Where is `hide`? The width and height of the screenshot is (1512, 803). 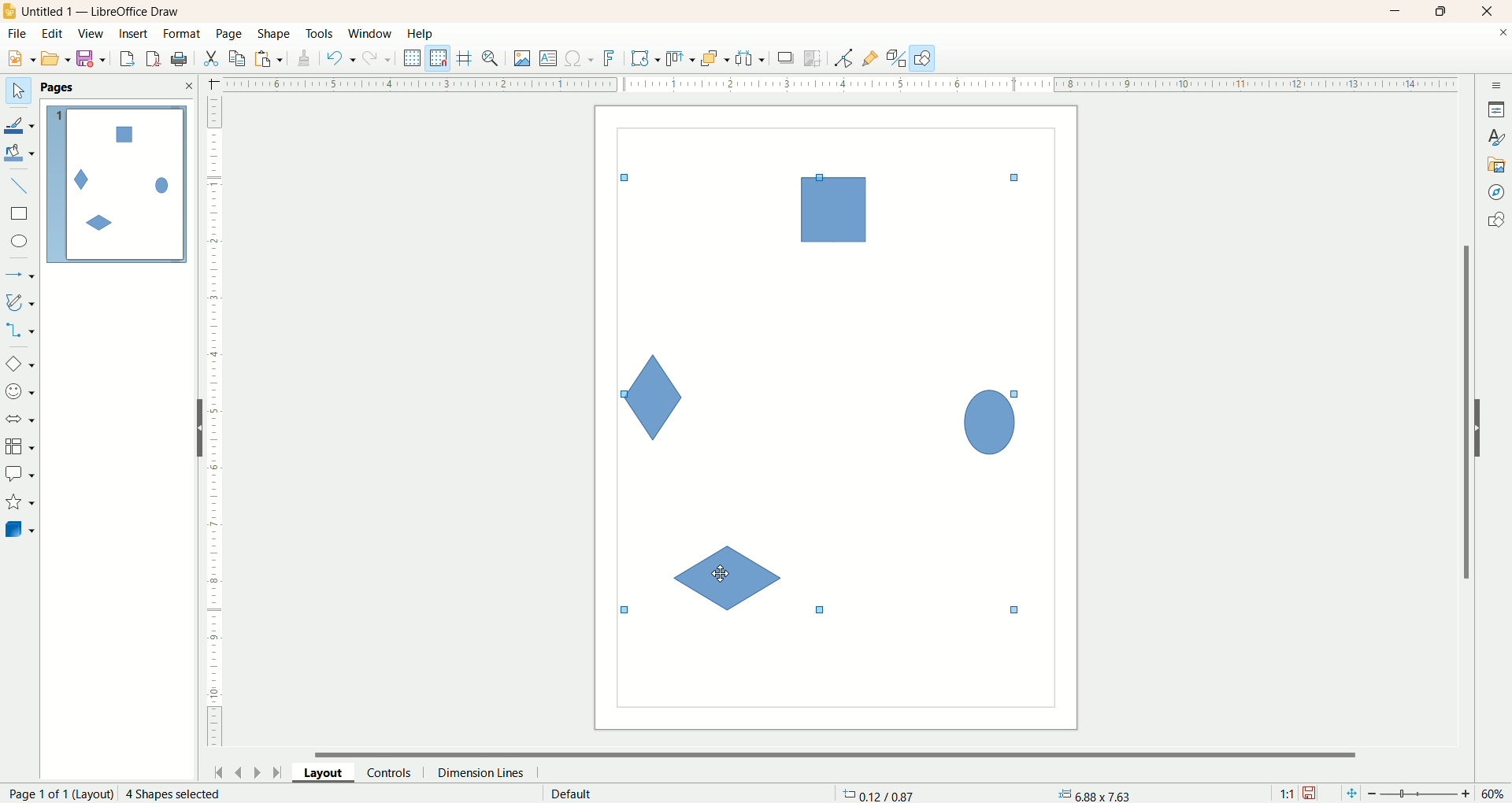 hide is located at coordinates (193, 431).